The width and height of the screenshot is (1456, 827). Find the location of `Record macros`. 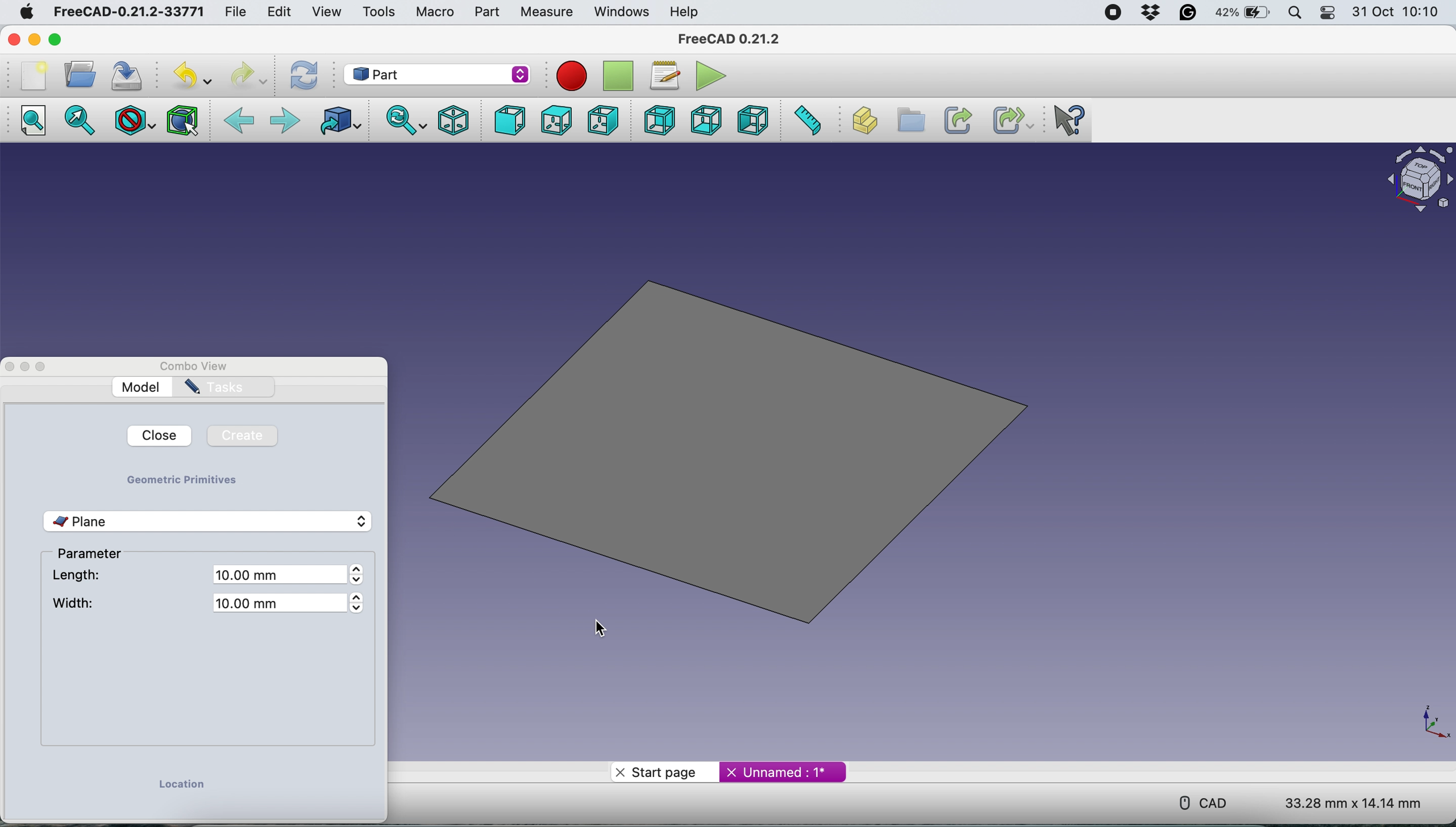

Record macros is located at coordinates (573, 76).